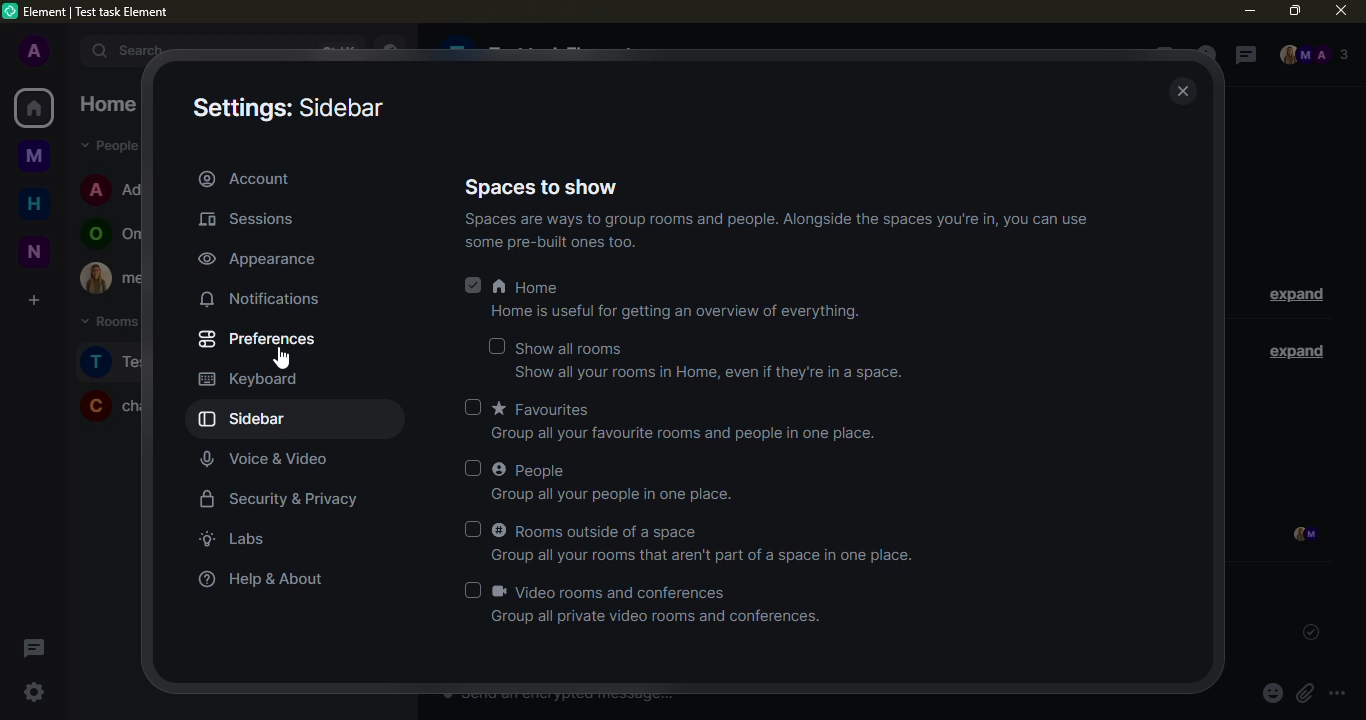  I want to click on info, so click(712, 556).